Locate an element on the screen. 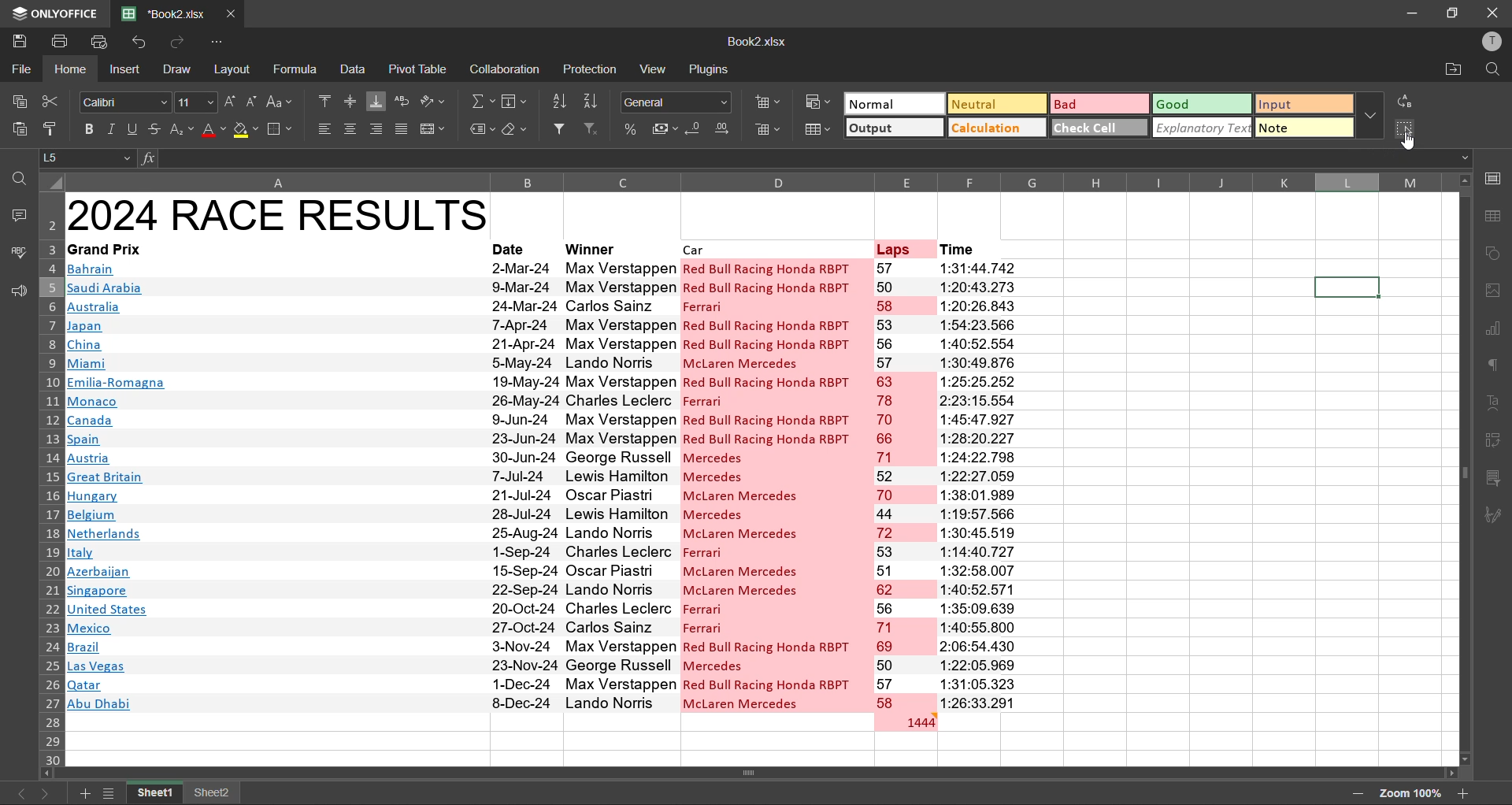 Image resolution: width=1512 pixels, height=805 pixels. explanatory text is located at coordinates (1203, 128).